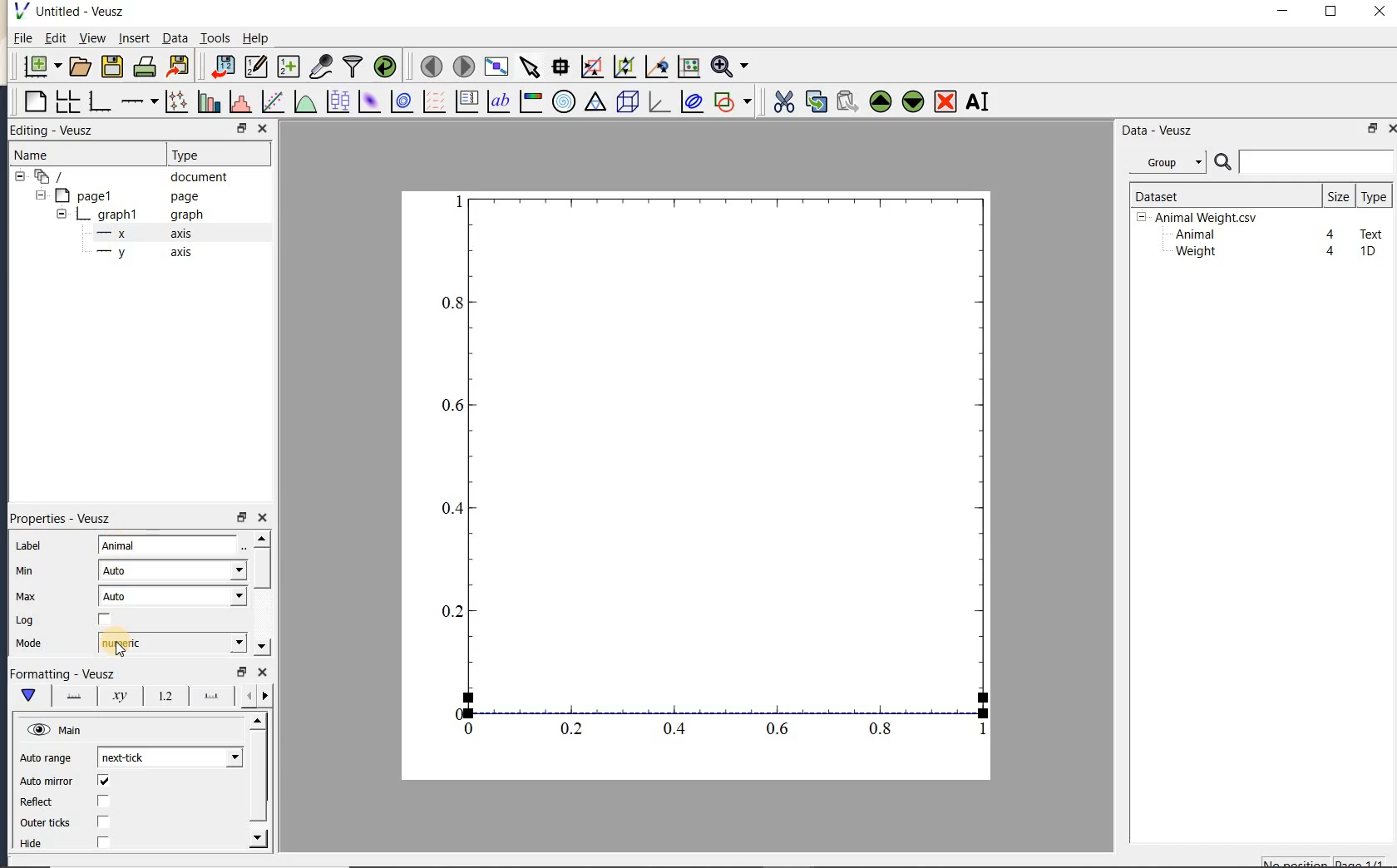 The width and height of the screenshot is (1397, 868). I want to click on view, so click(91, 40).